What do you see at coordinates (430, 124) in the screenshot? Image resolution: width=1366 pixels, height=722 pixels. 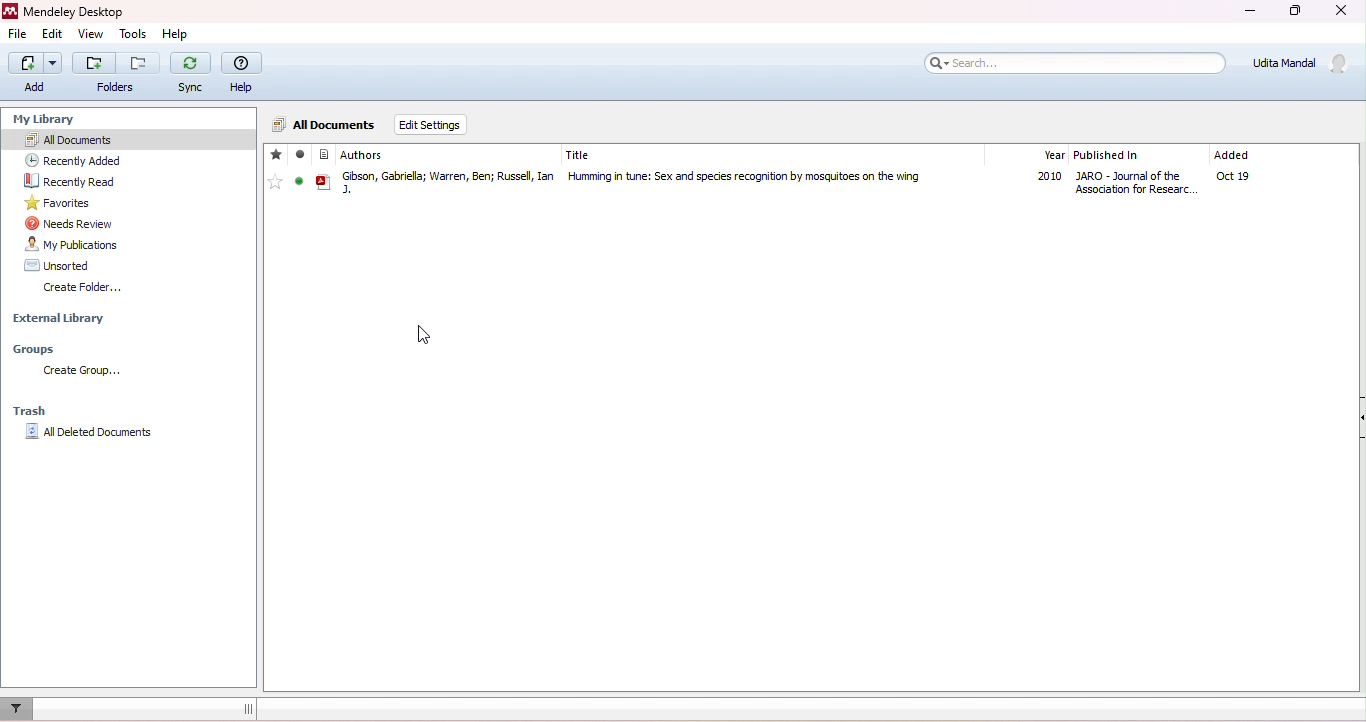 I see `edit settings` at bounding box center [430, 124].